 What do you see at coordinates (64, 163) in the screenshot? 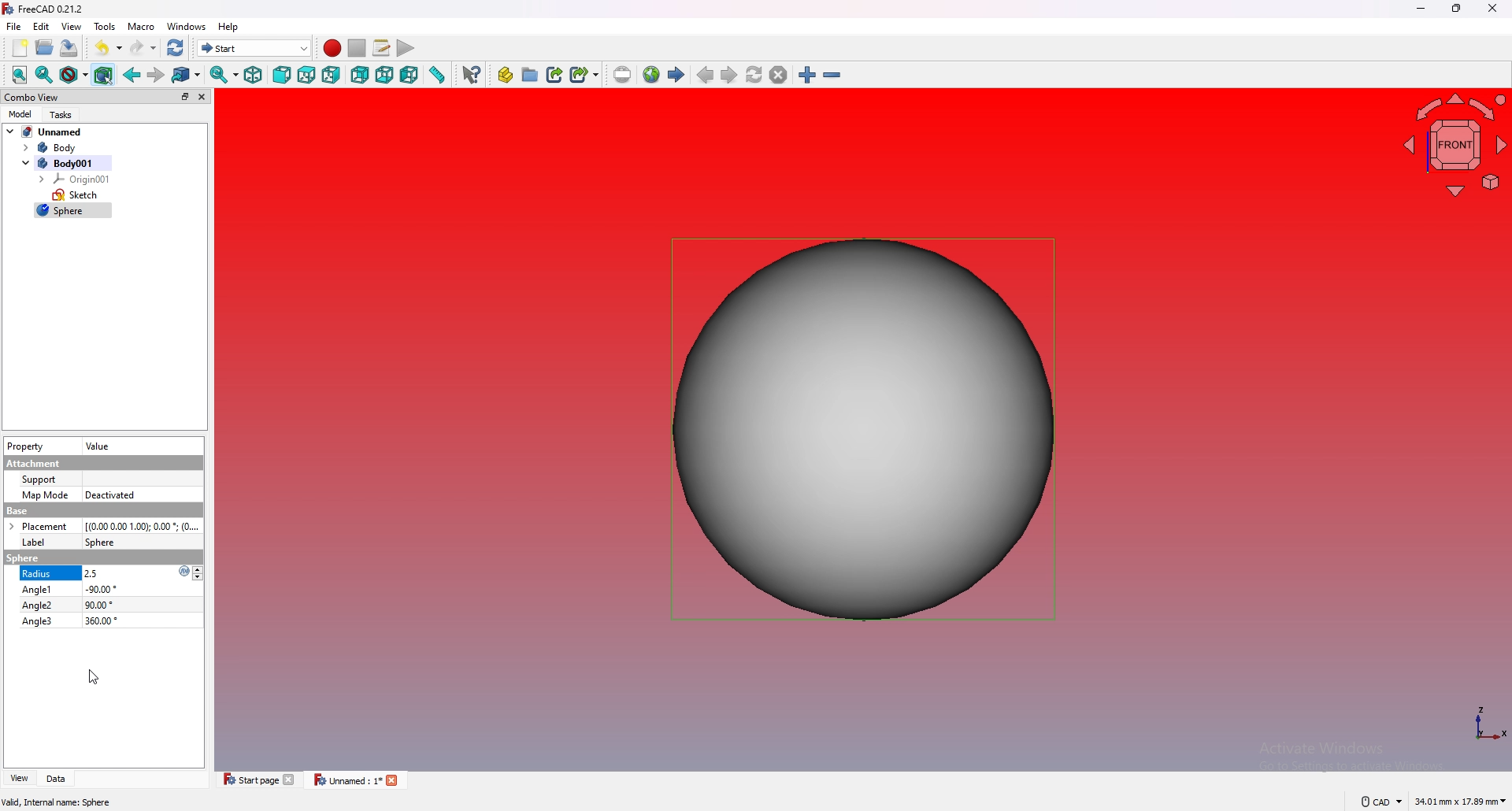
I see `body001` at bounding box center [64, 163].